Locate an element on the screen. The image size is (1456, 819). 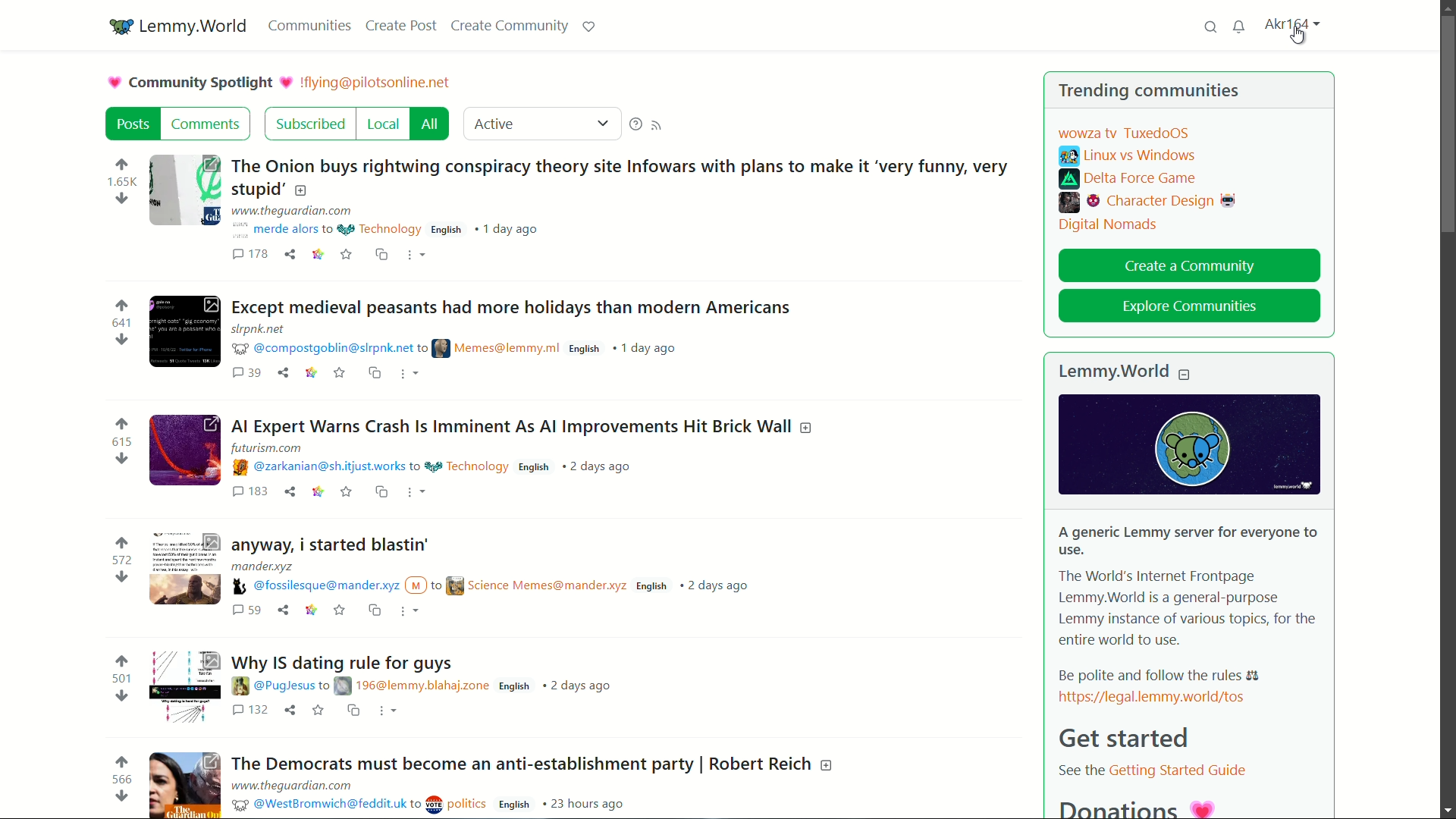
character design is located at coordinates (1148, 203).